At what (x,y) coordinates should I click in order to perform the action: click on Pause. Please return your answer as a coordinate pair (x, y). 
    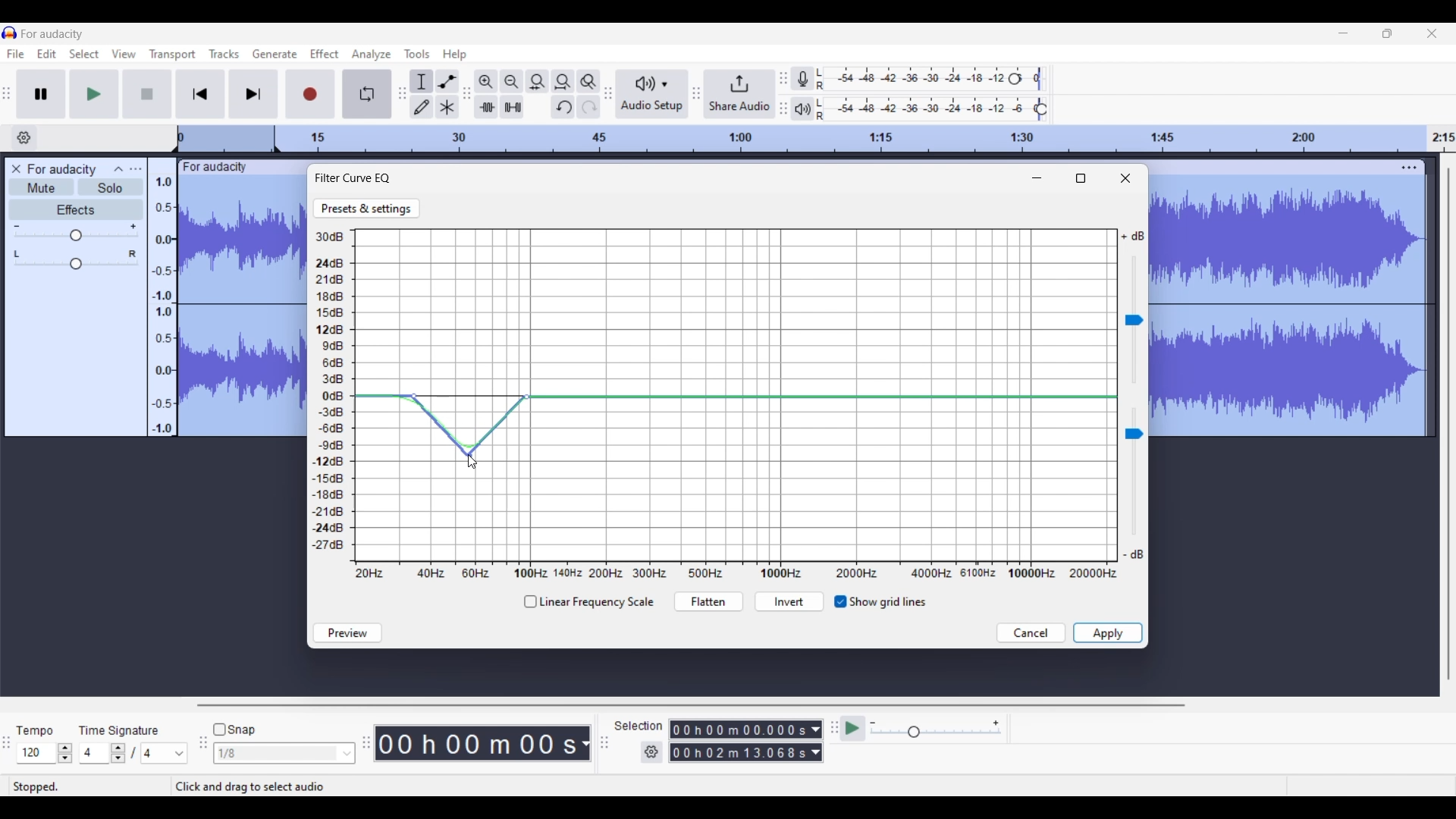
    Looking at the image, I should click on (41, 93).